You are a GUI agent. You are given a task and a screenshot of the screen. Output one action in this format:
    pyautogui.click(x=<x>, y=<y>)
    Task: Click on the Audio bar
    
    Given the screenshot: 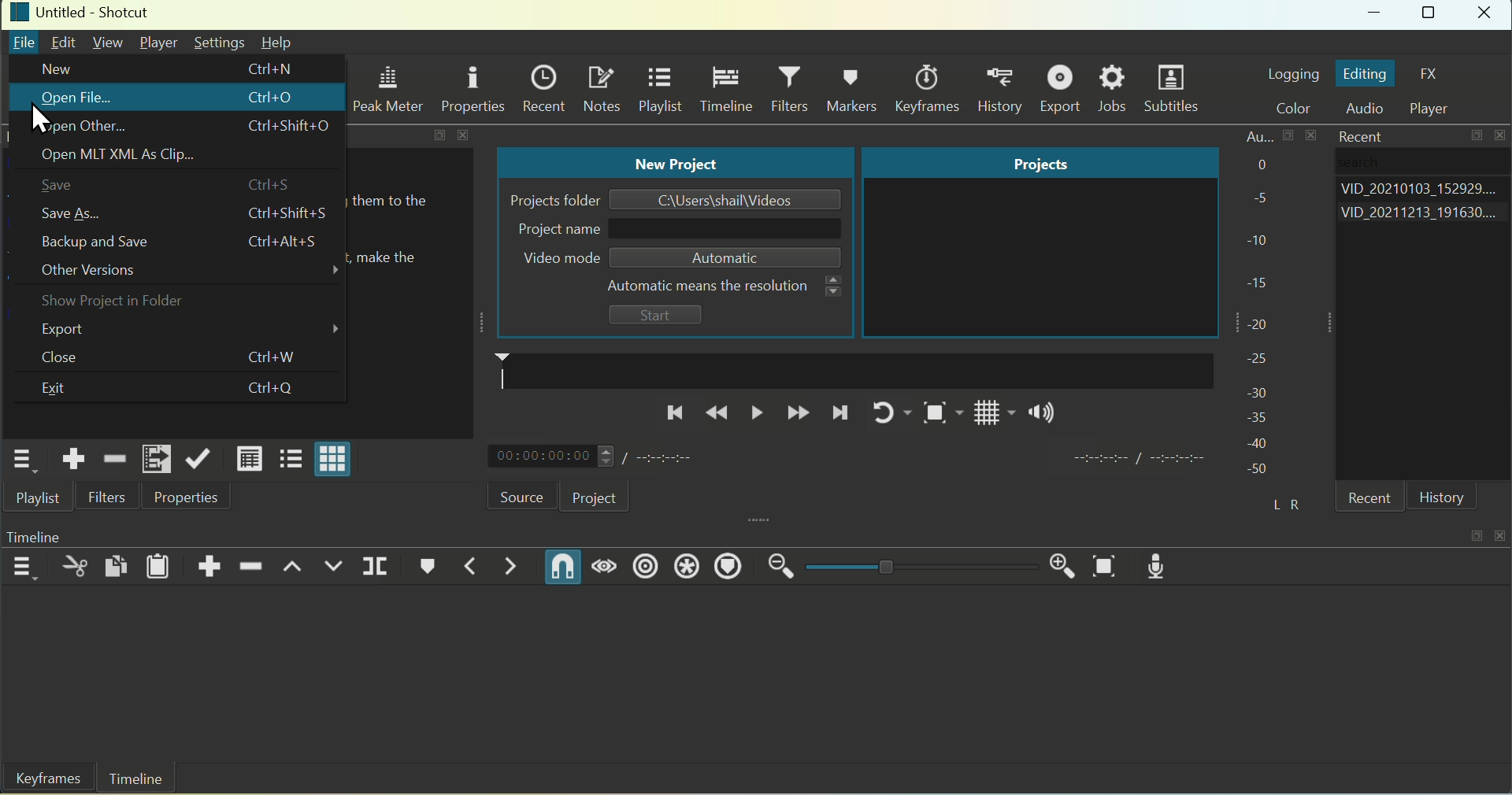 What is the action you would take?
    pyautogui.click(x=1258, y=301)
    